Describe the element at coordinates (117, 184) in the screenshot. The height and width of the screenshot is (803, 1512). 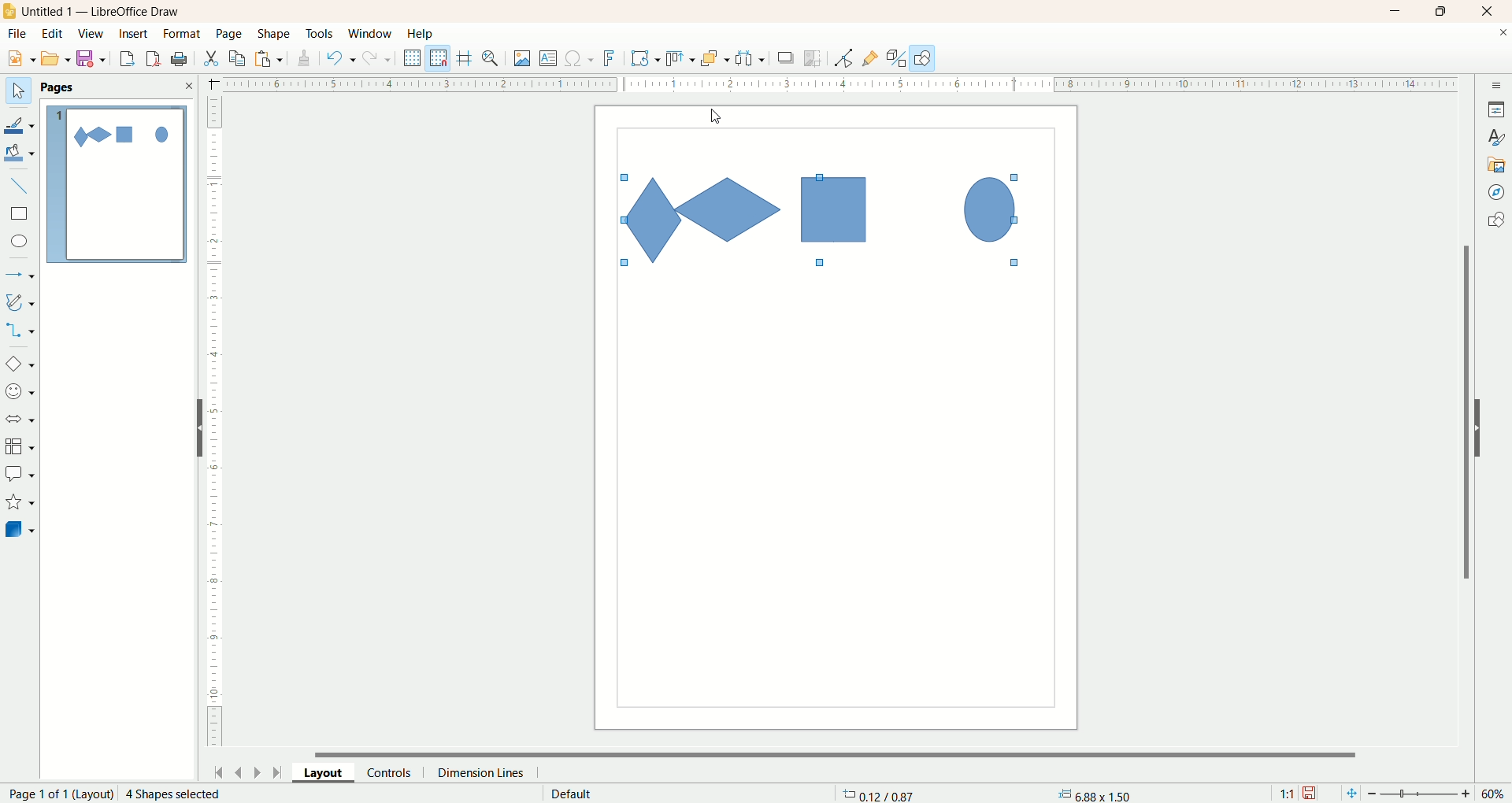
I see `page1` at that location.